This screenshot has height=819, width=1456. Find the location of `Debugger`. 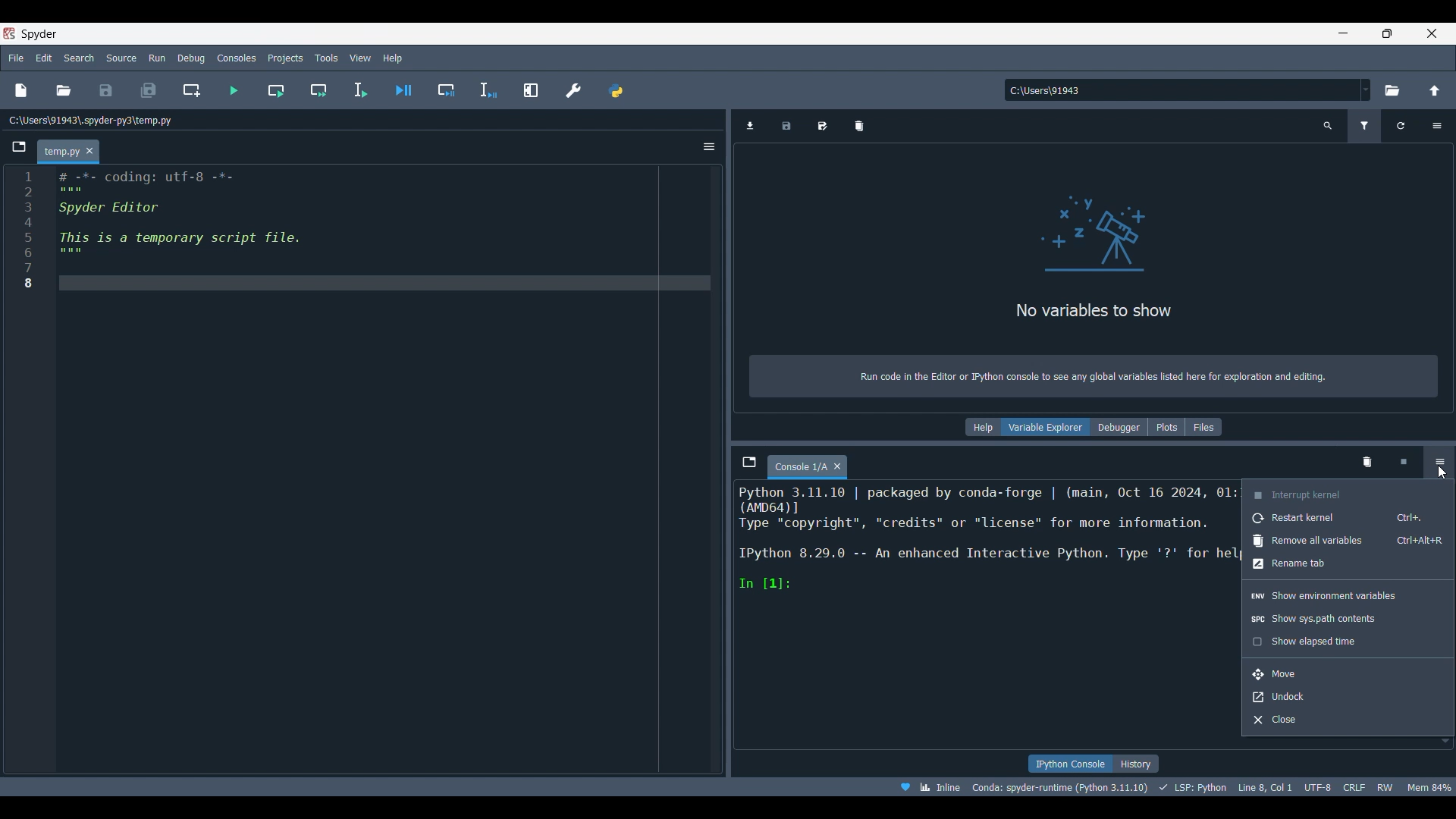

Debugger is located at coordinates (1119, 427).